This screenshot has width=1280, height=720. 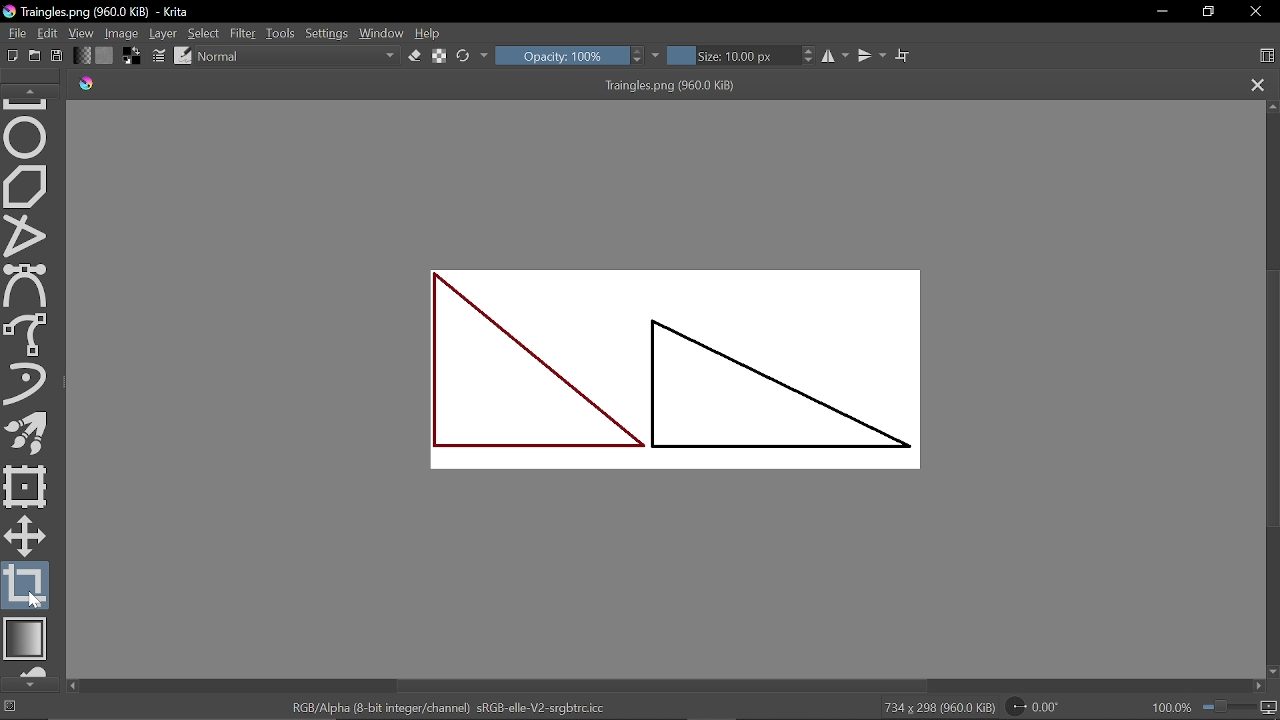 I want to click on Preserve alpha, so click(x=439, y=57).